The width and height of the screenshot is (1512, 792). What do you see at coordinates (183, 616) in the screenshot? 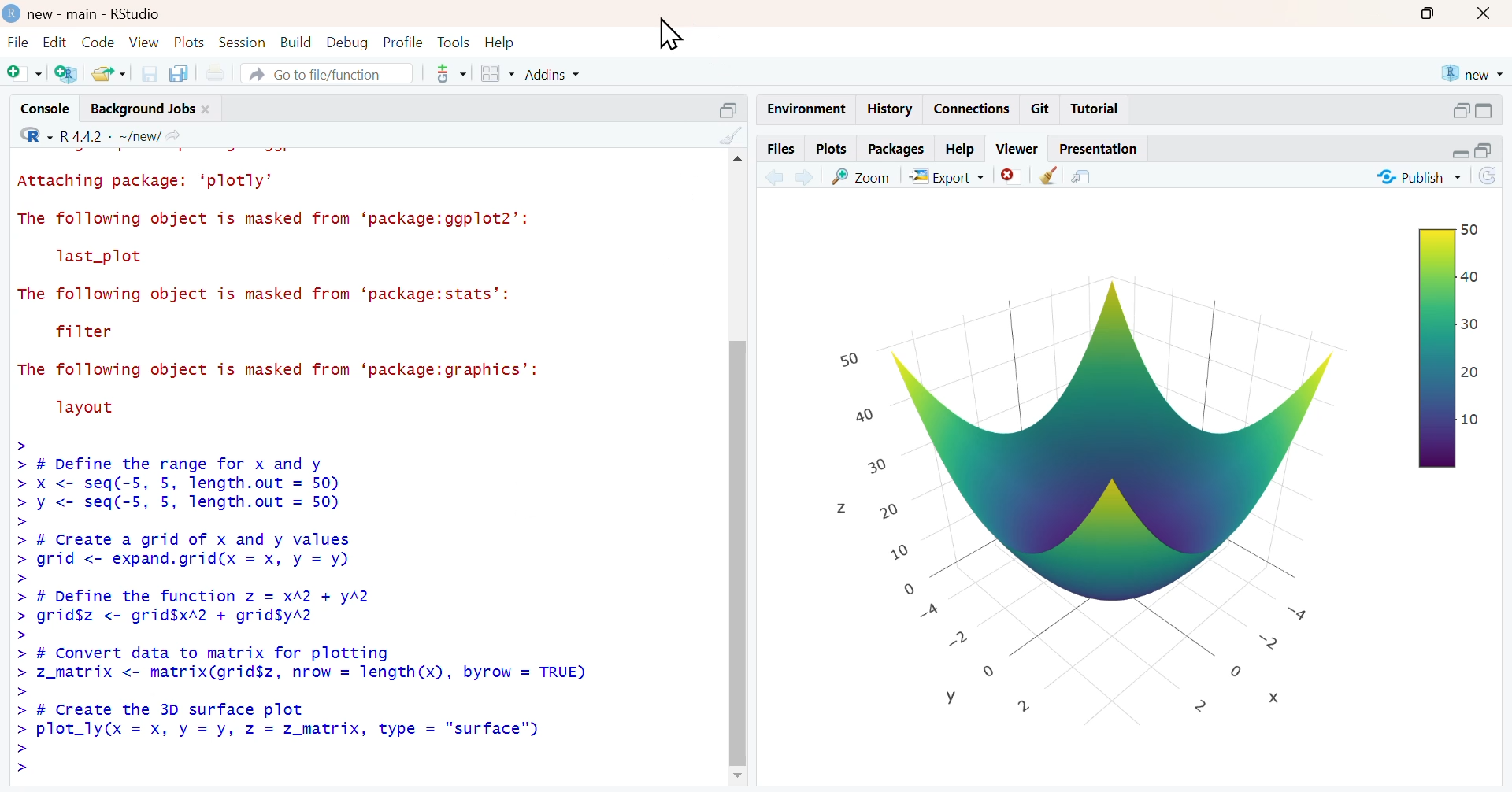
I see `> grid$z <- grid$xA2 + grid$yA2` at bounding box center [183, 616].